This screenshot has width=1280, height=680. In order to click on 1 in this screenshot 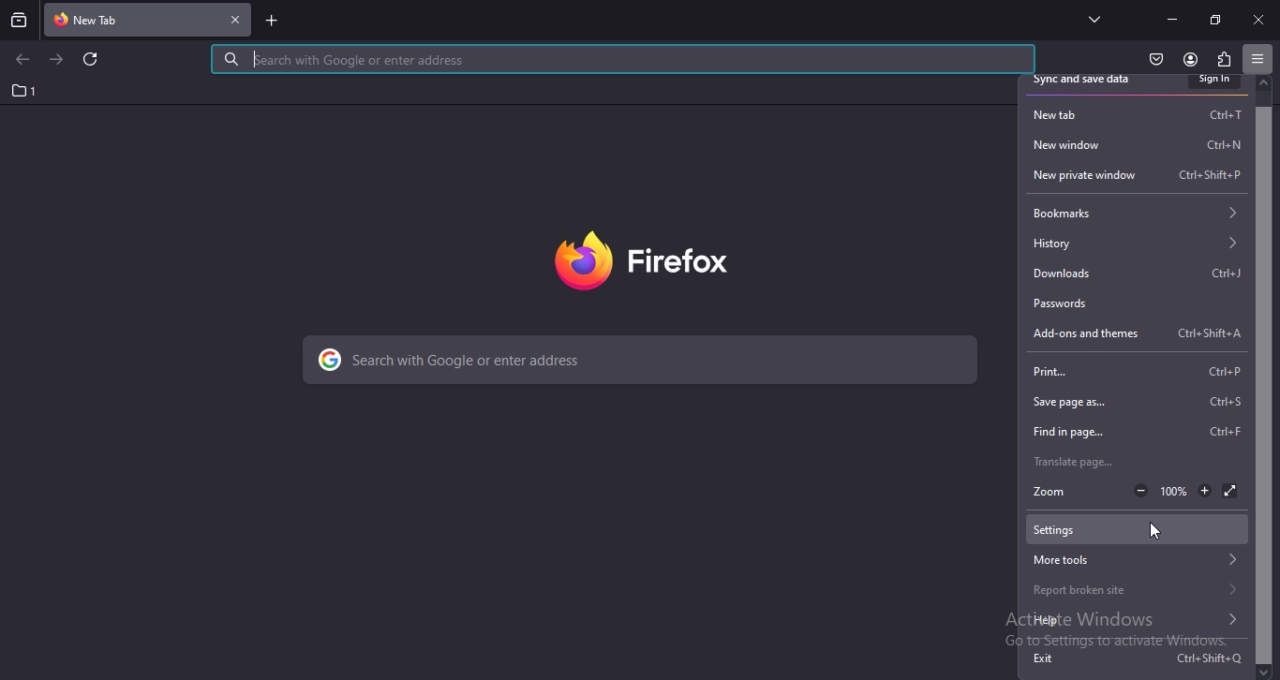, I will do `click(22, 91)`.